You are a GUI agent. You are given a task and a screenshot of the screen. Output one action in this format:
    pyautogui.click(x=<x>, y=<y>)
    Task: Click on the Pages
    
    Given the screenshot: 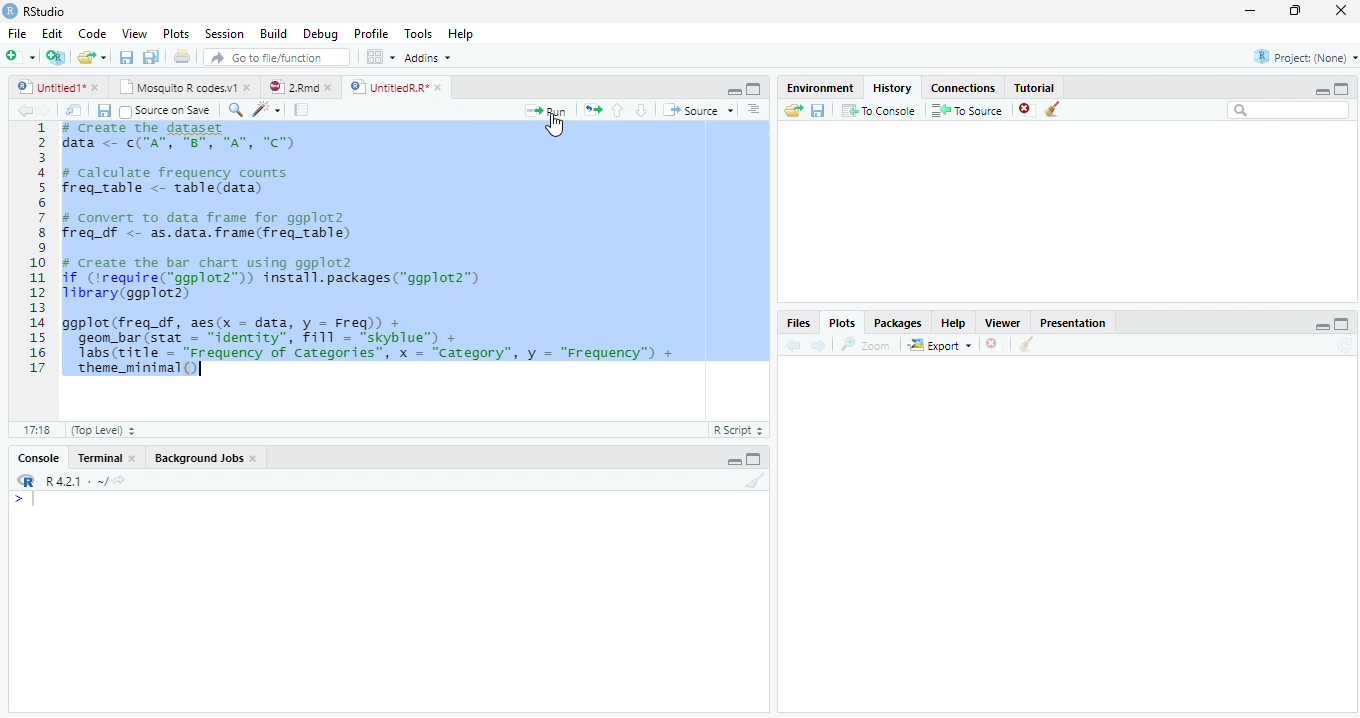 What is the action you would take?
    pyautogui.click(x=301, y=110)
    